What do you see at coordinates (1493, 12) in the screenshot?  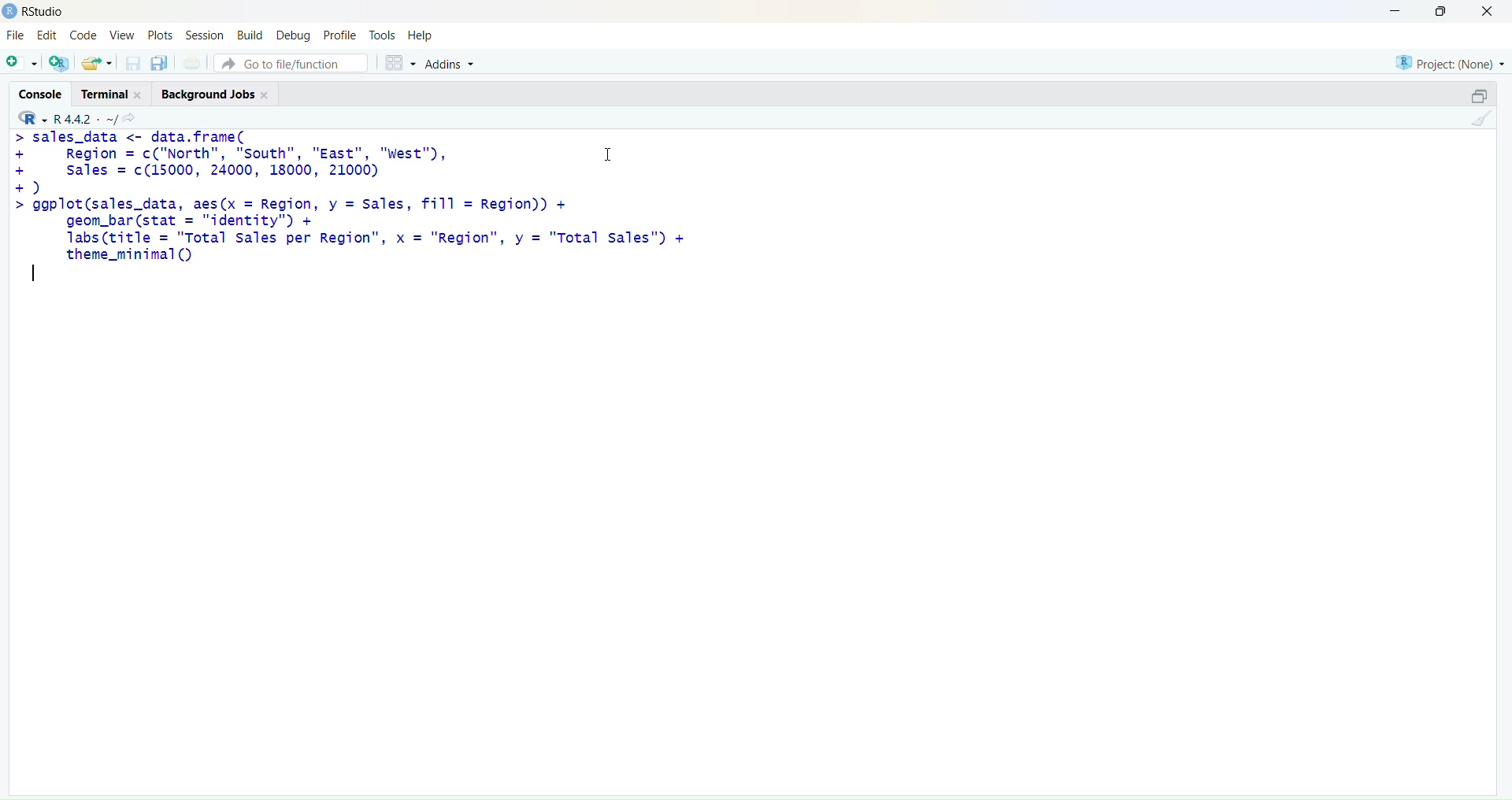 I see `close` at bounding box center [1493, 12].